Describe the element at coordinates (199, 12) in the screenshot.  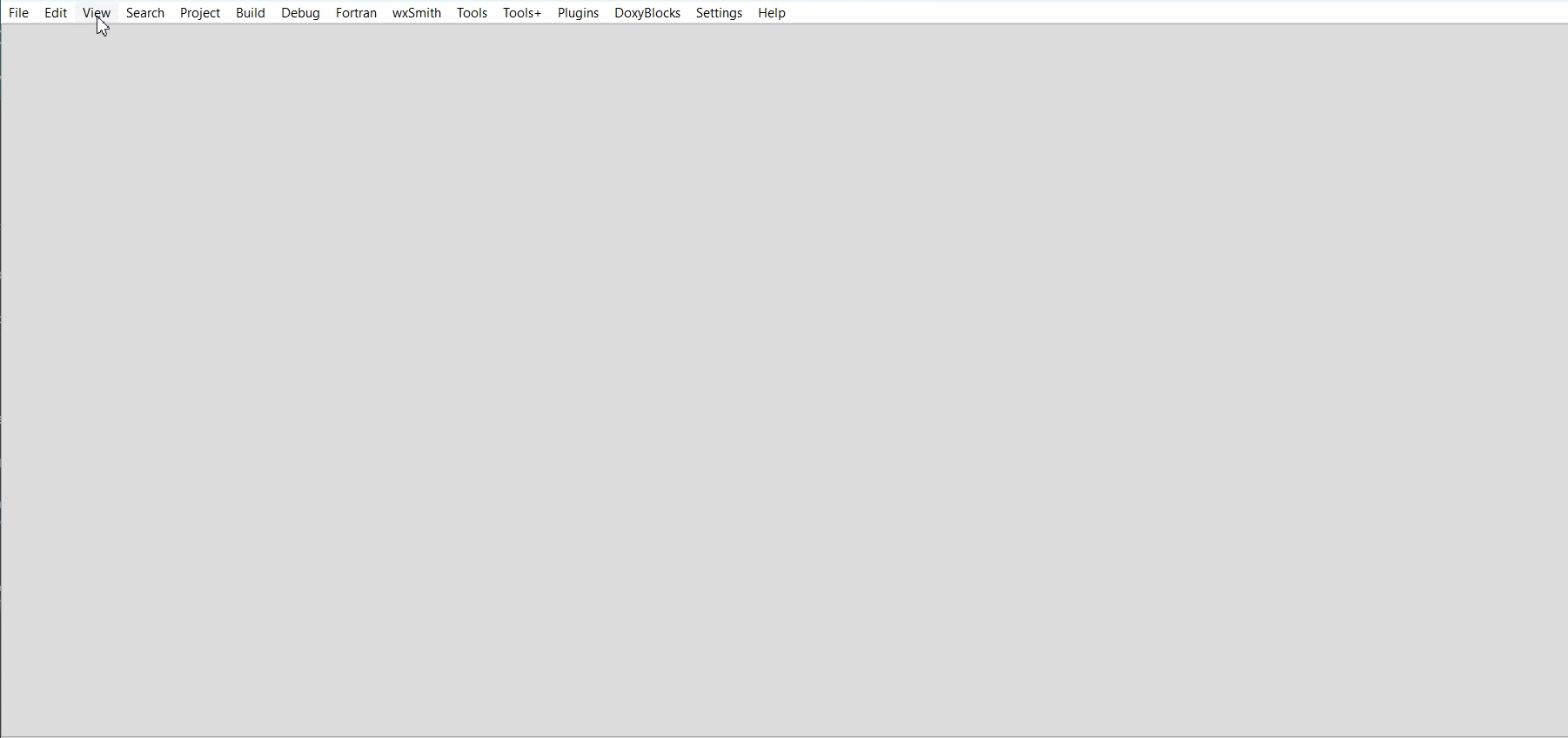
I see `Project` at that location.